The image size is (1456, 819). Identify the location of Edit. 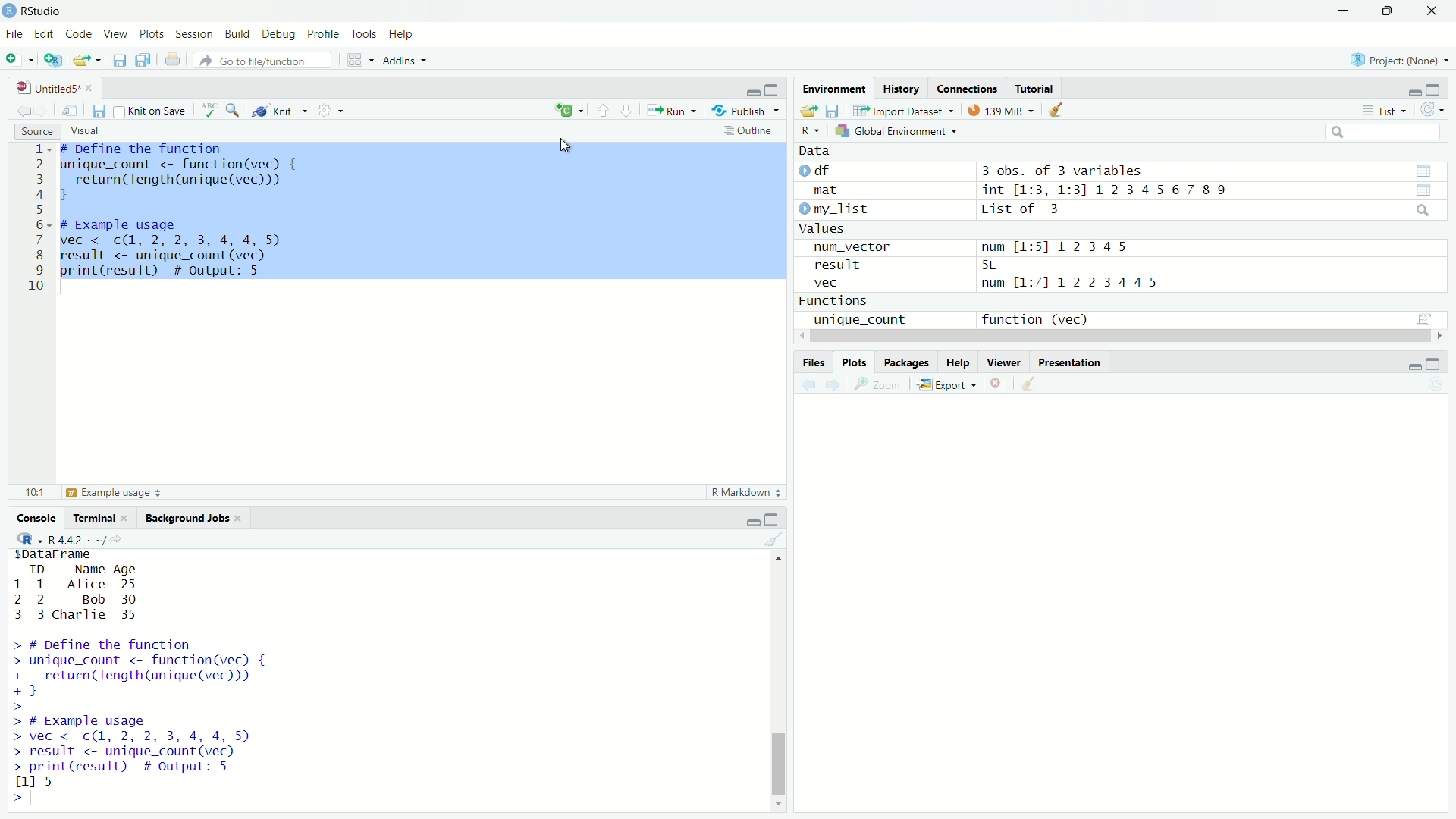
(46, 36).